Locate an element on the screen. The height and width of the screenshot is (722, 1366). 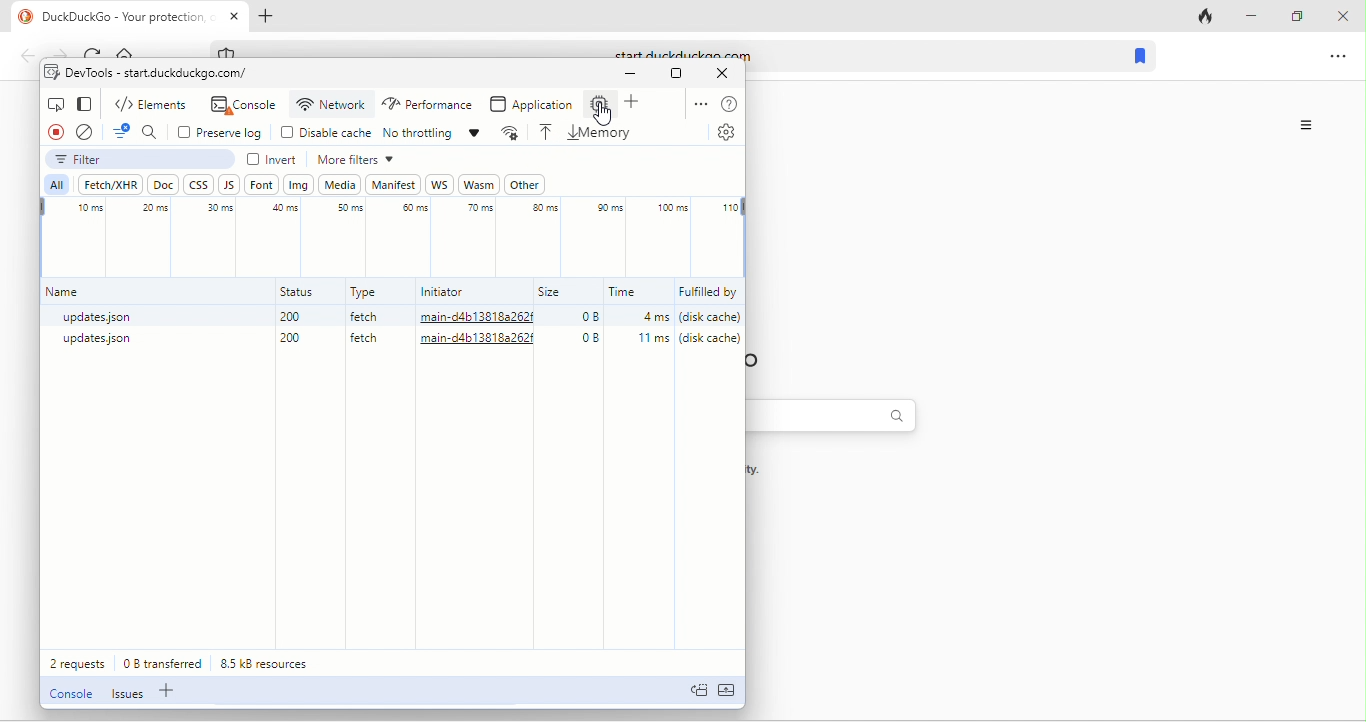
initiator is located at coordinates (470, 293).